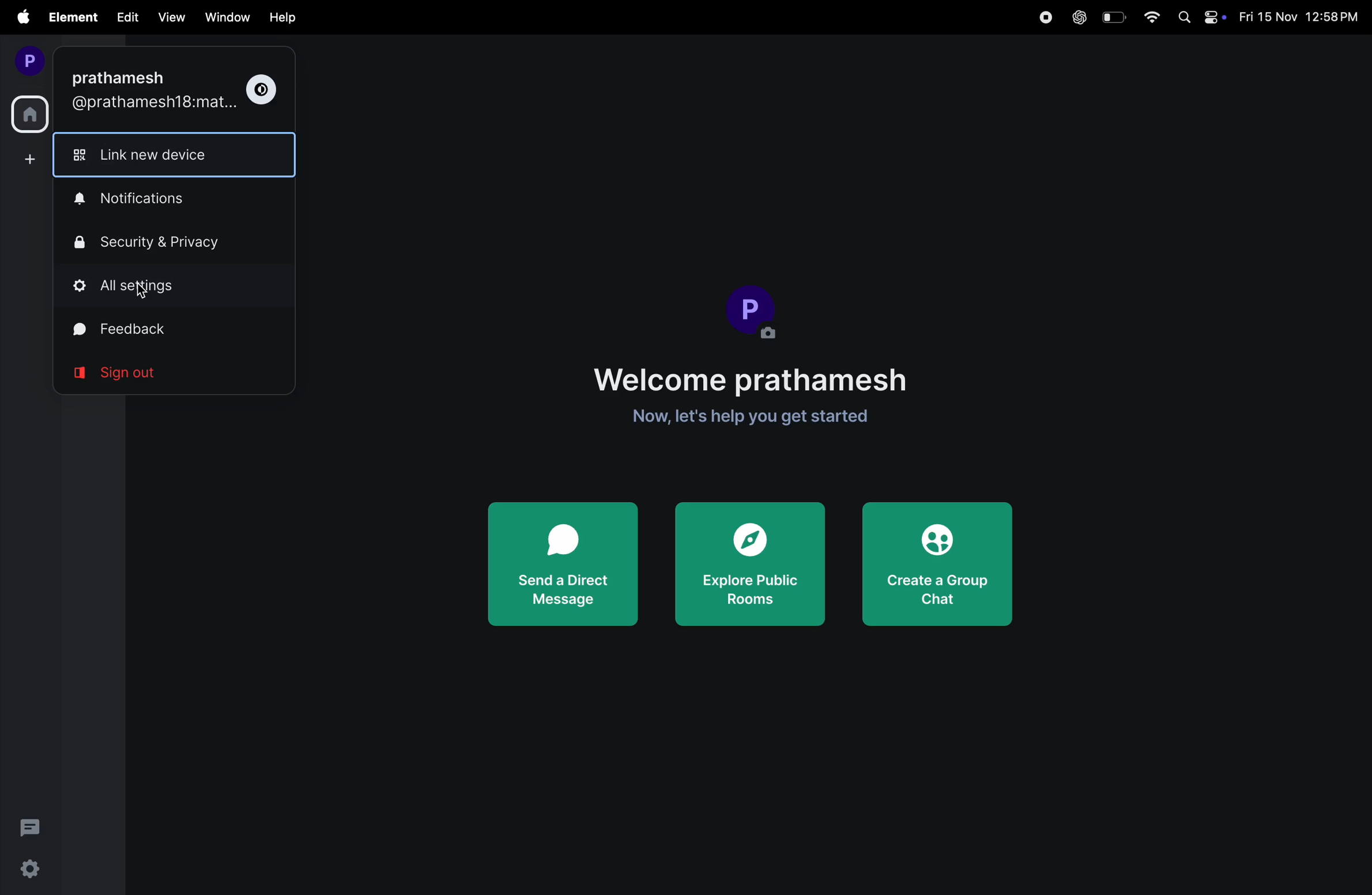  I want to click on link new device, so click(177, 154).